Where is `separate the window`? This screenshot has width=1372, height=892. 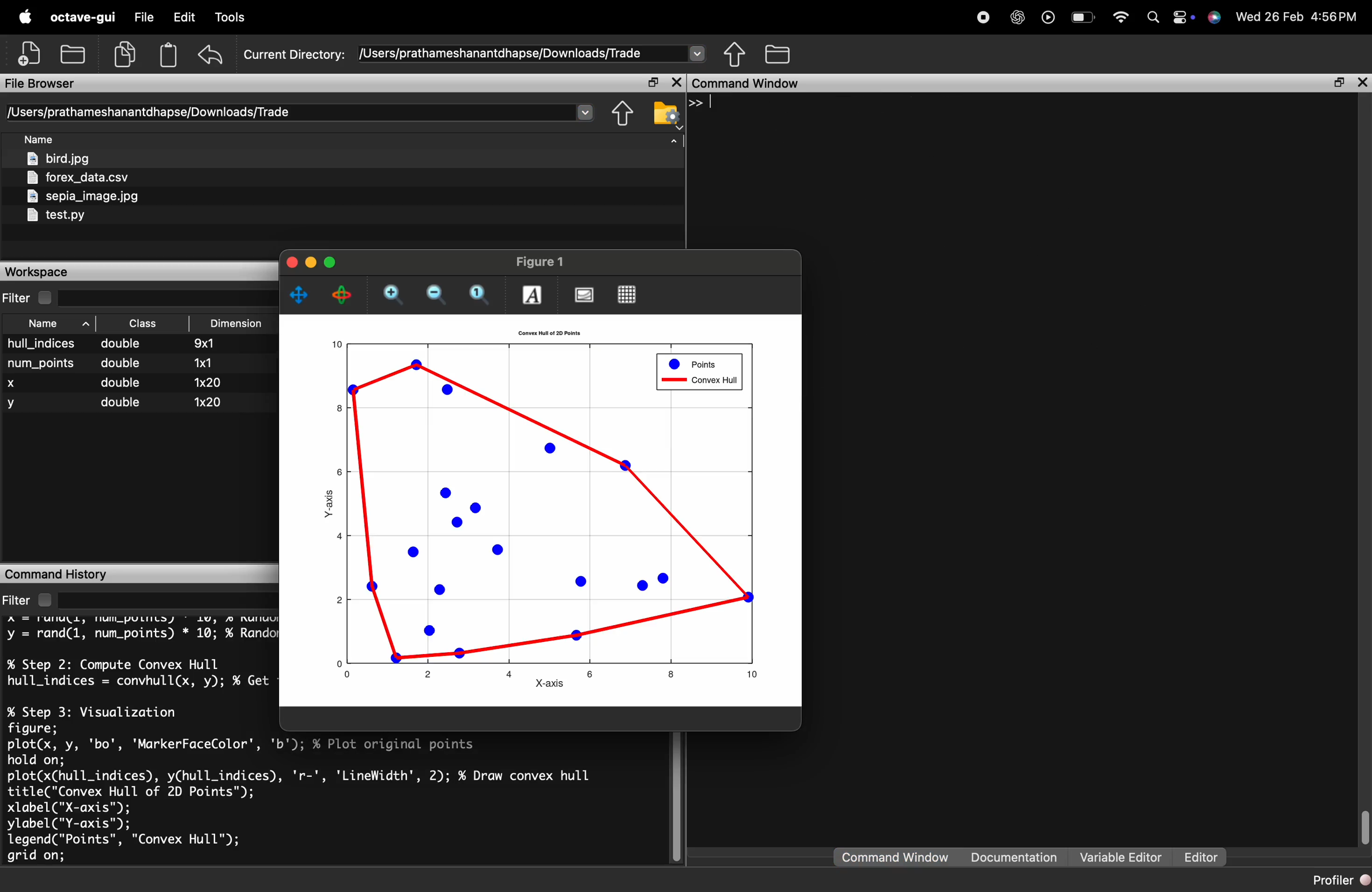 separate the window is located at coordinates (1340, 83).